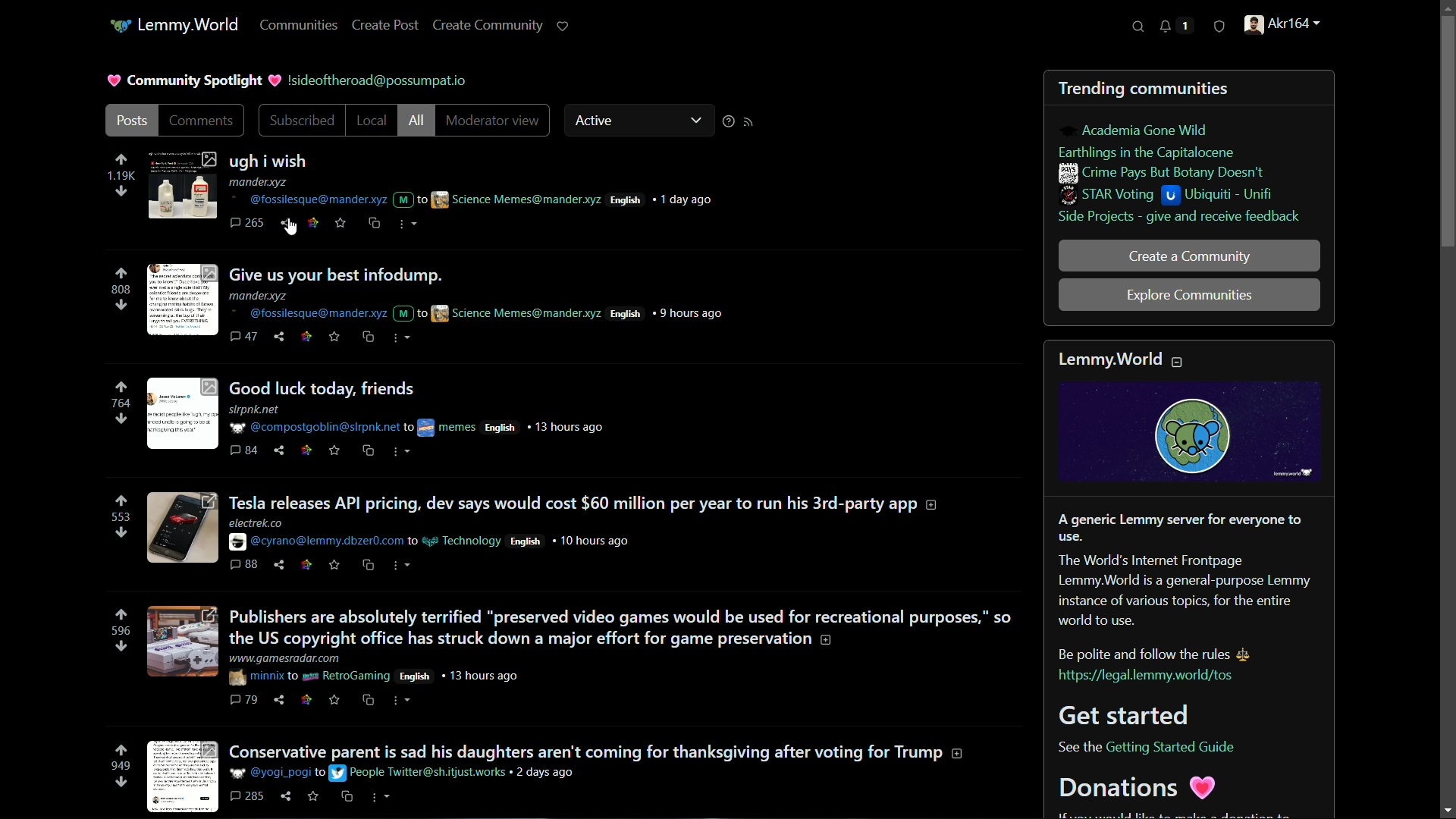 The image size is (1456, 819). I want to click on more actions, so click(401, 339).